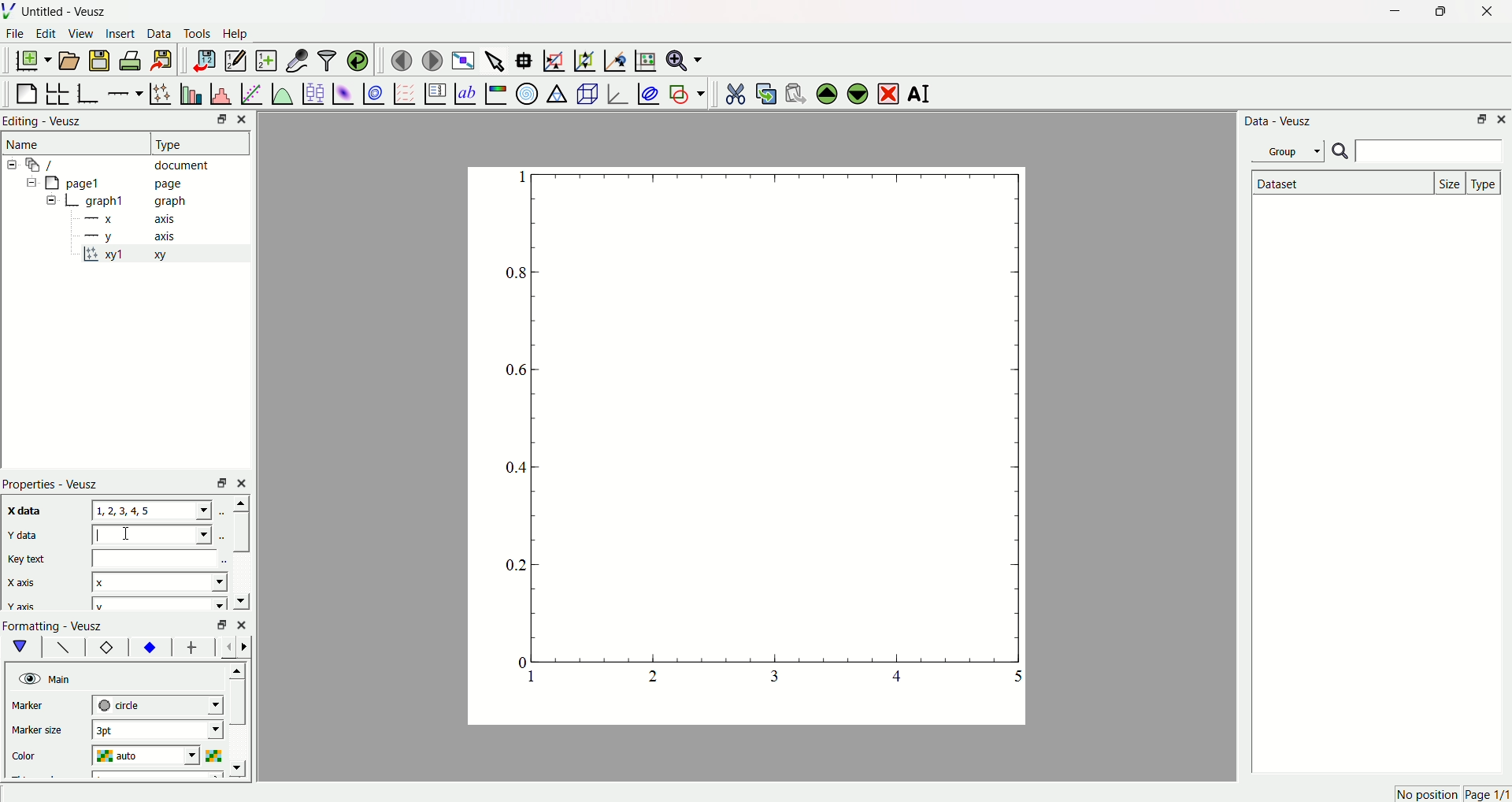 This screenshot has height=802, width=1512. What do you see at coordinates (135, 236) in the screenshot?
I see `y axis` at bounding box center [135, 236].